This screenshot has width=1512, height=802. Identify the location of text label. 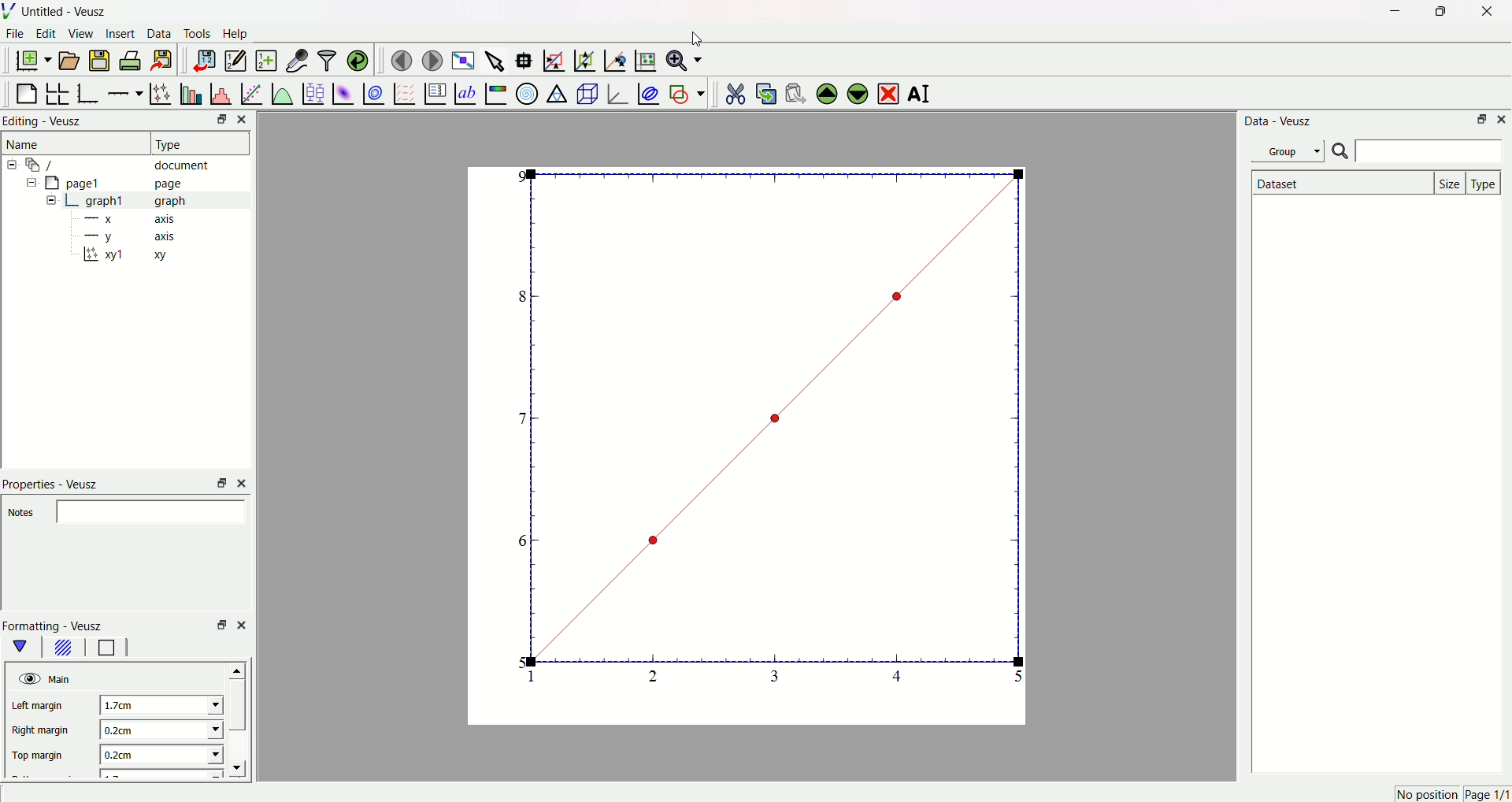
(464, 92).